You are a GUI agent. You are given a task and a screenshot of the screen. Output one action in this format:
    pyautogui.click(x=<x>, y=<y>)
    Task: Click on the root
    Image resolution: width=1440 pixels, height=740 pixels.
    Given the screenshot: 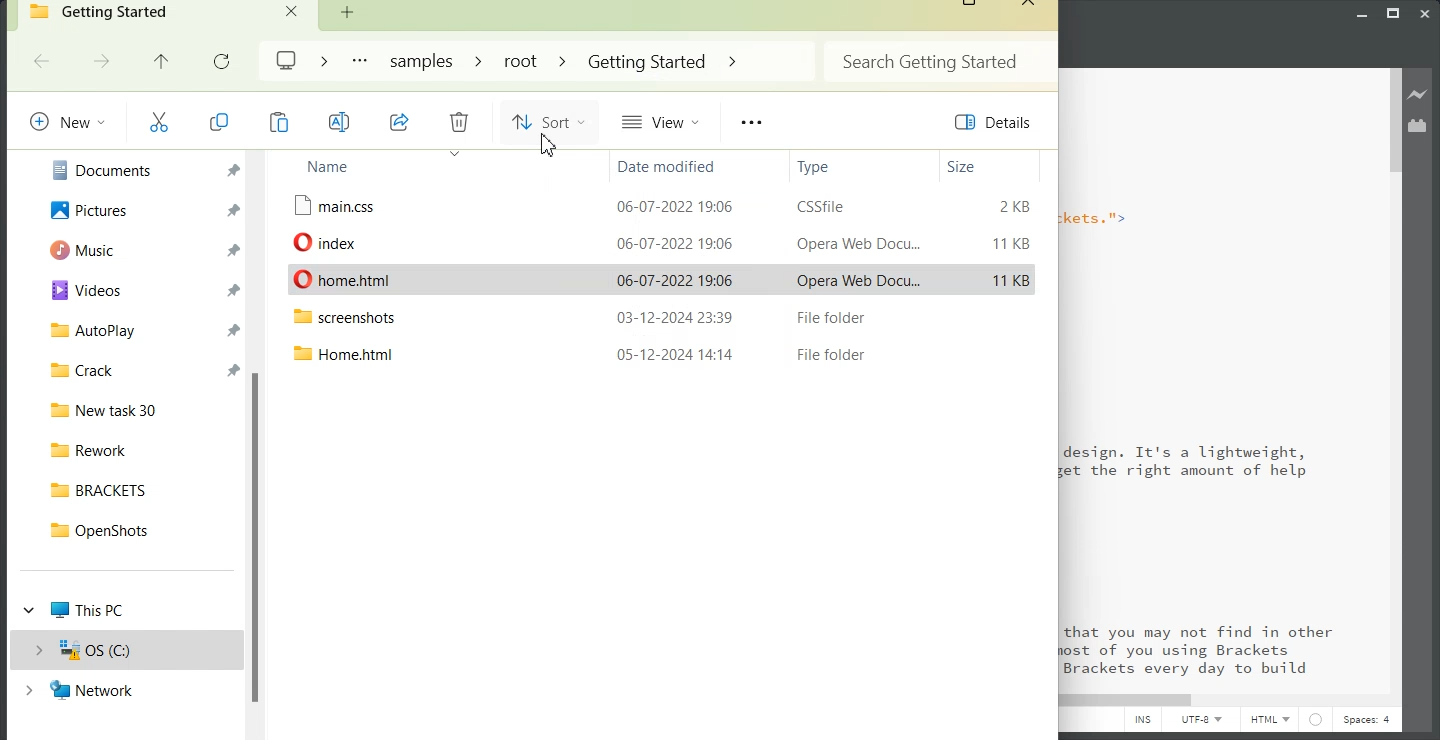 What is the action you would take?
    pyautogui.click(x=519, y=60)
    